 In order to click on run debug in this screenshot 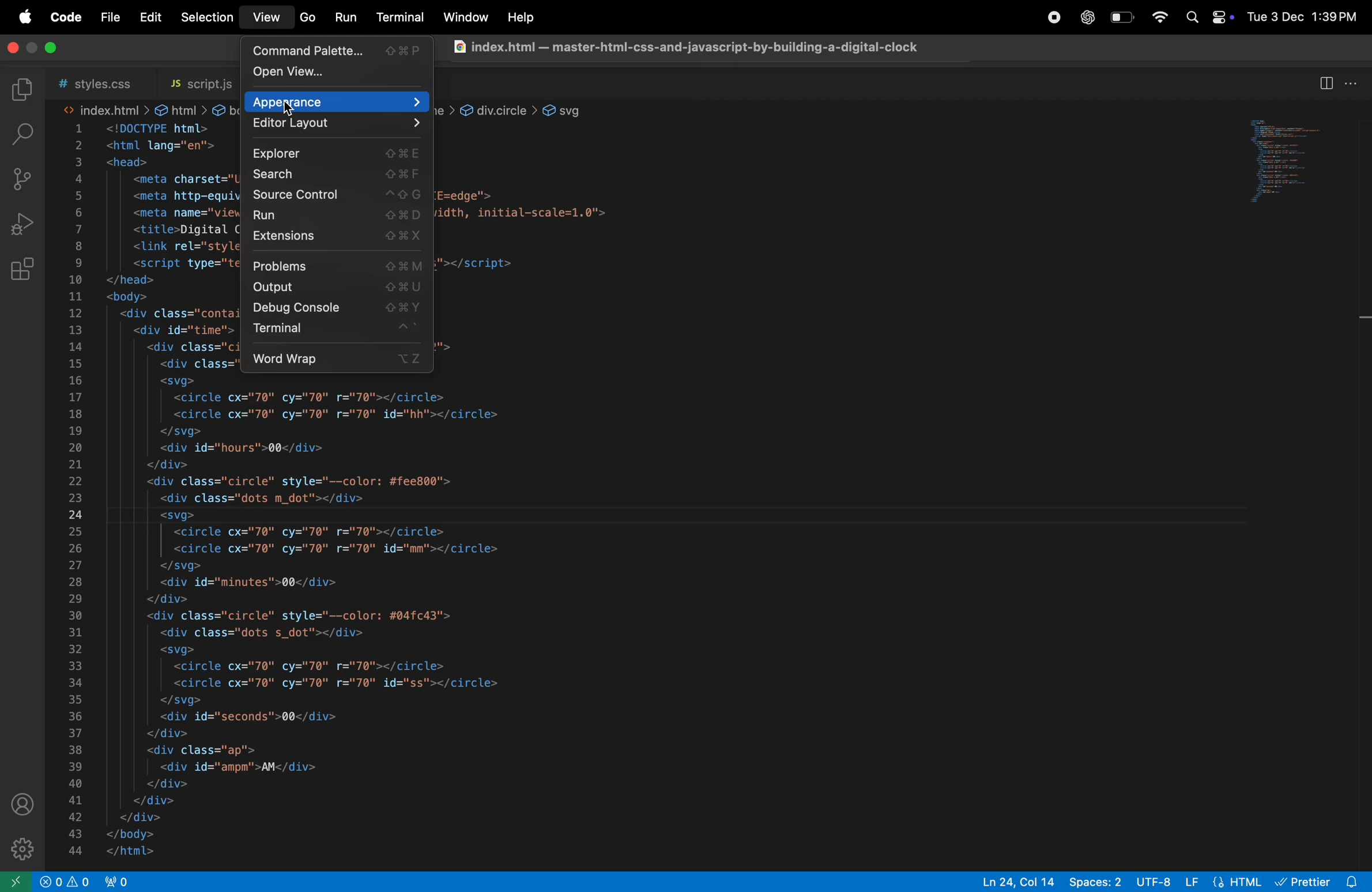, I will do `click(24, 224)`.